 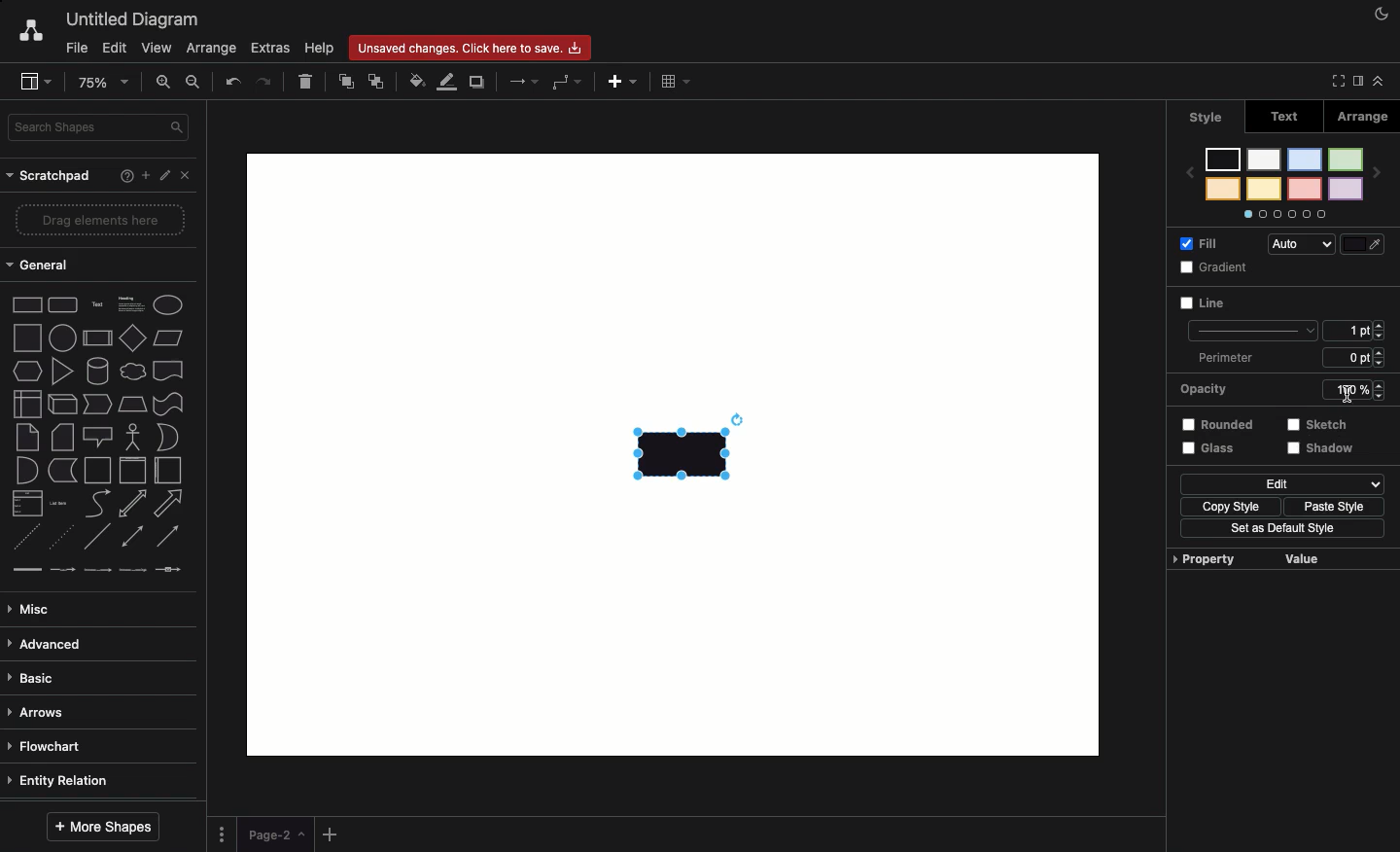 What do you see at coordinates (133, 505) in the screenshot?
I see `bidirectional arrow` at bounding box center [133, 505].